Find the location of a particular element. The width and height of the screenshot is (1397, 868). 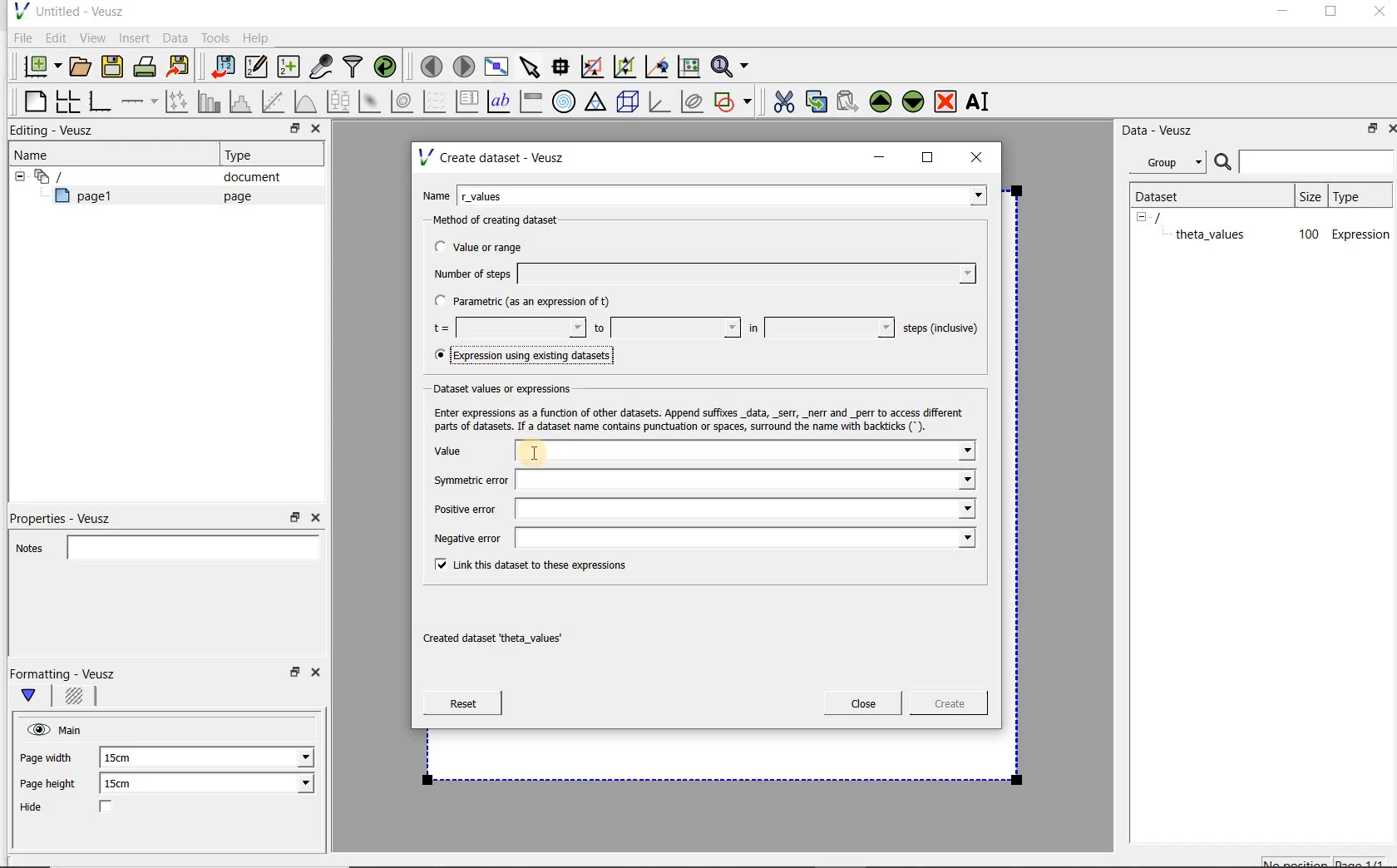

restore down is located at coordinates (295, 518).